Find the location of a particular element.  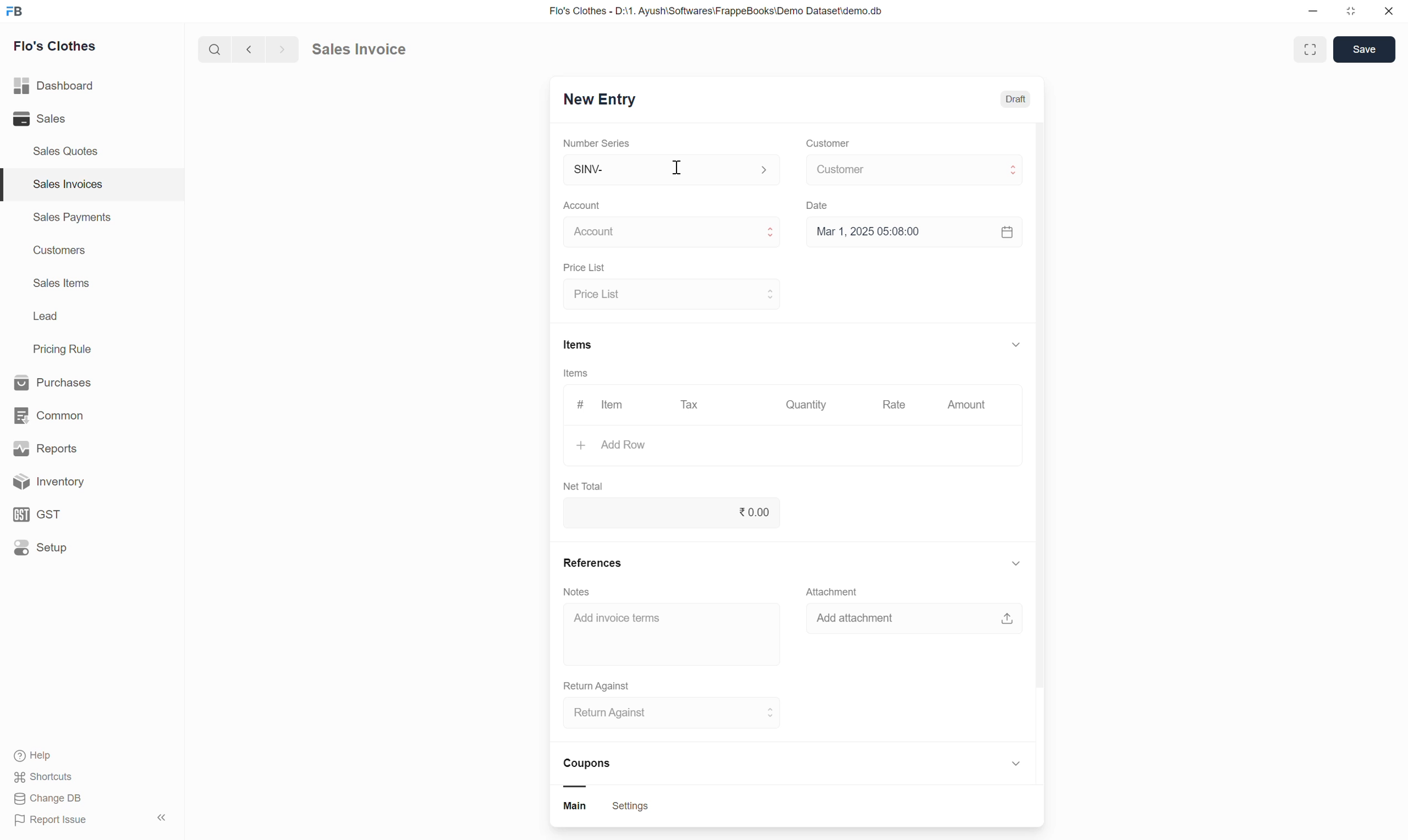

resize  is located at coordinates (1355, 14).